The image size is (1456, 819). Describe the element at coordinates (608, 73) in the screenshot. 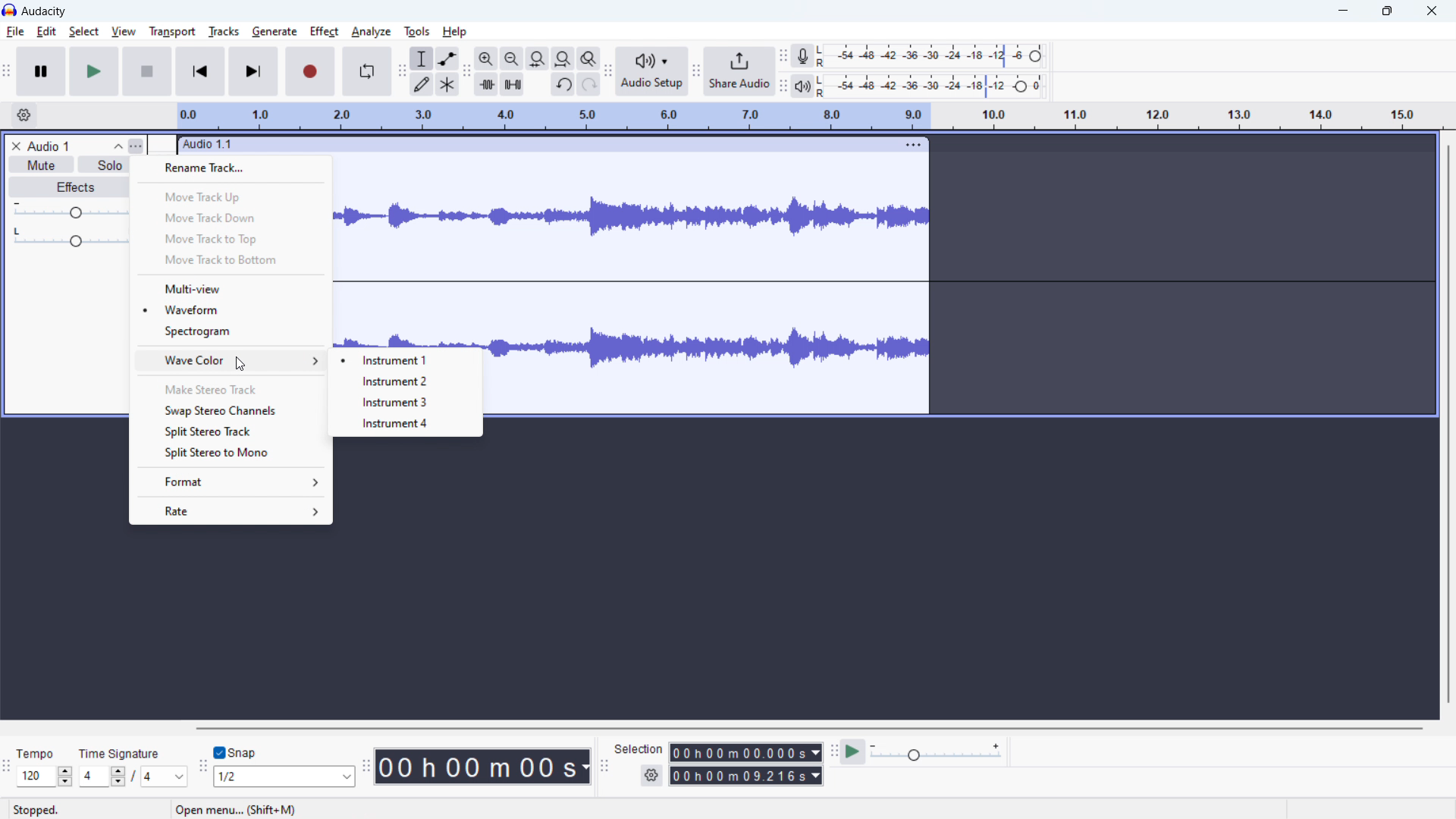

I see `audio setup toolbar` at that location.